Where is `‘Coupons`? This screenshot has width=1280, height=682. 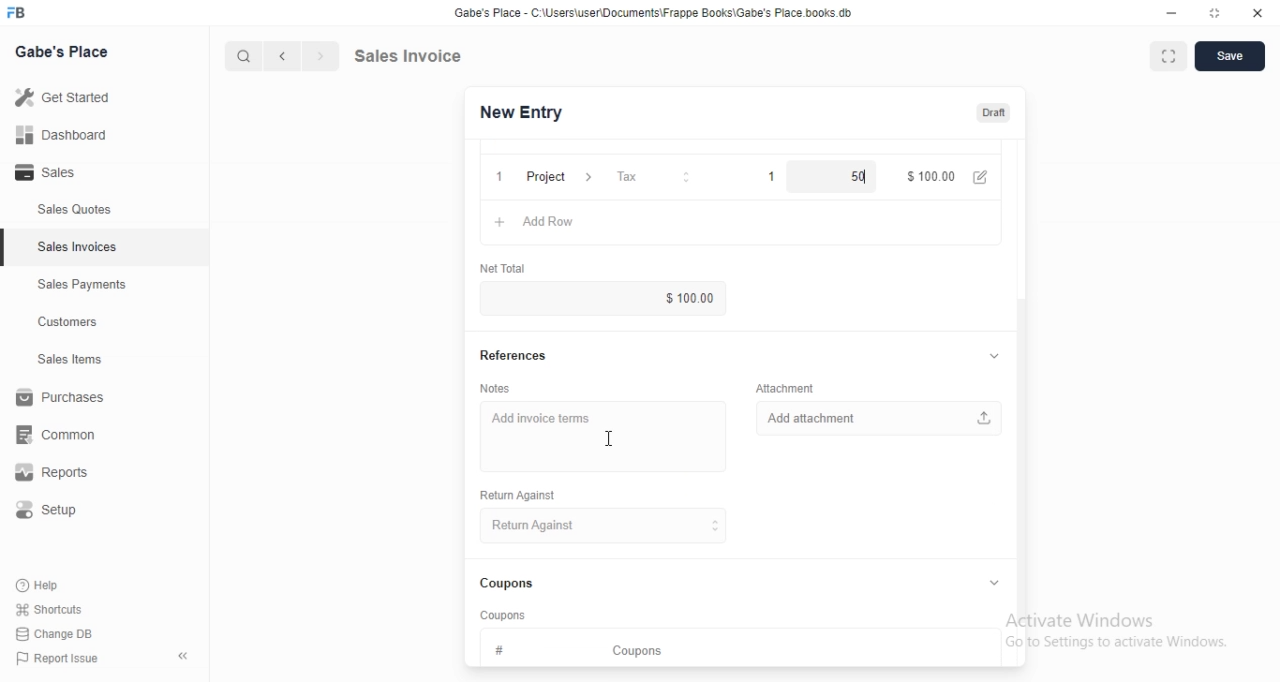 ‘Coupons is located at coordinates (505, 614).